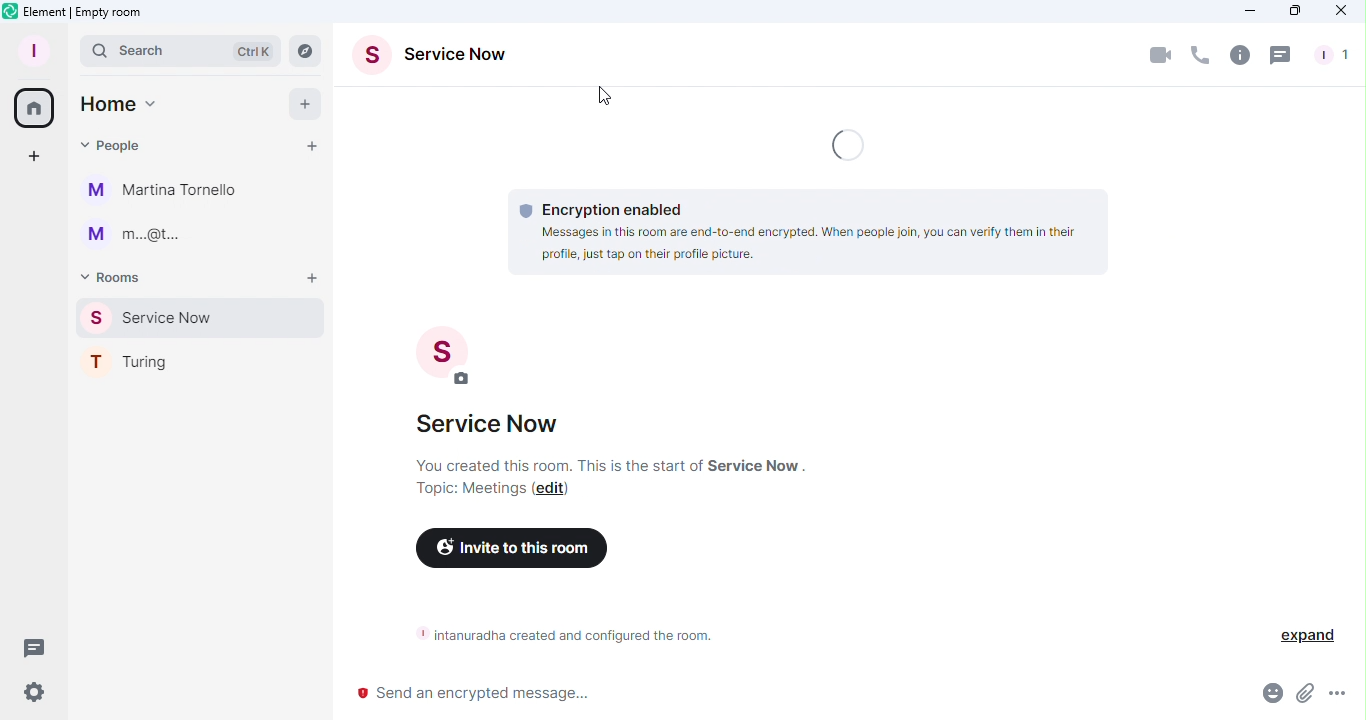 The height and width of the screenshot is (720, 1366). I want to click on Home, so click(31, 105).